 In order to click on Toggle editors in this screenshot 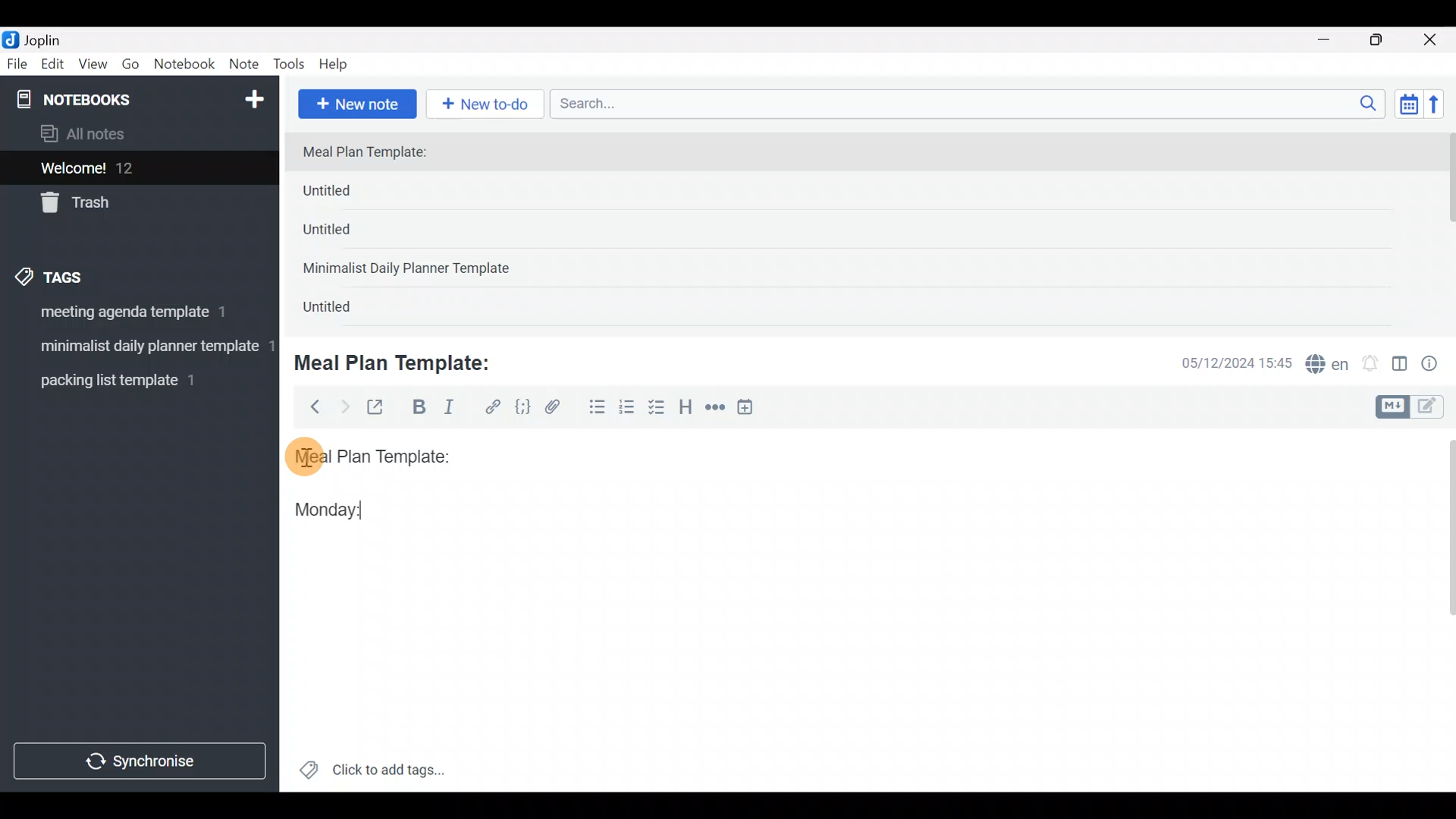, I will do `click(1414, 405)`.